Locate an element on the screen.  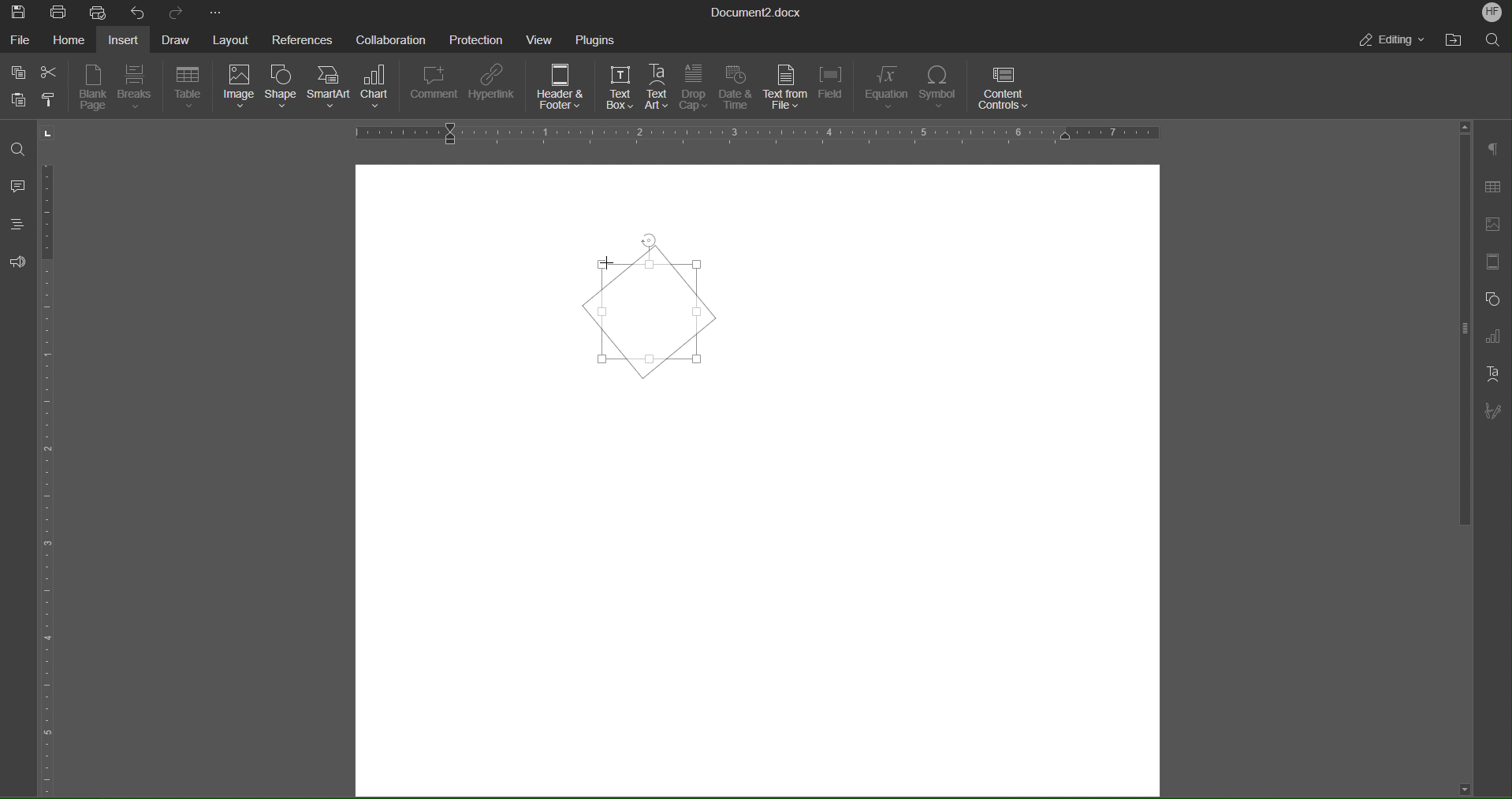
Open File Location is located at coordinates (1456, 39).